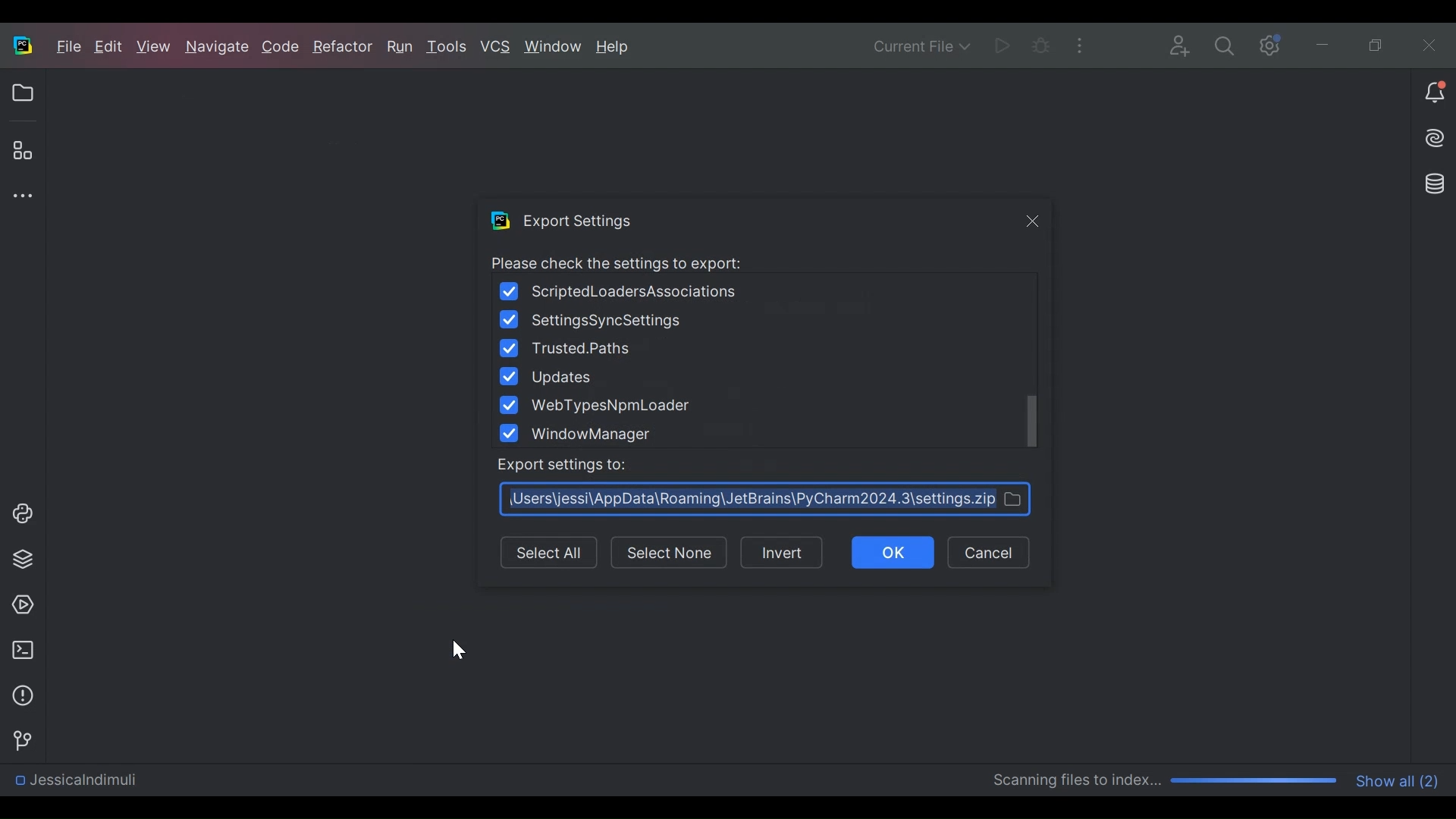 This screenshot has height=819, width=1456. Describe the element at coordinates (1321, 43) in the screenshot. I see `Minimize` at that location.